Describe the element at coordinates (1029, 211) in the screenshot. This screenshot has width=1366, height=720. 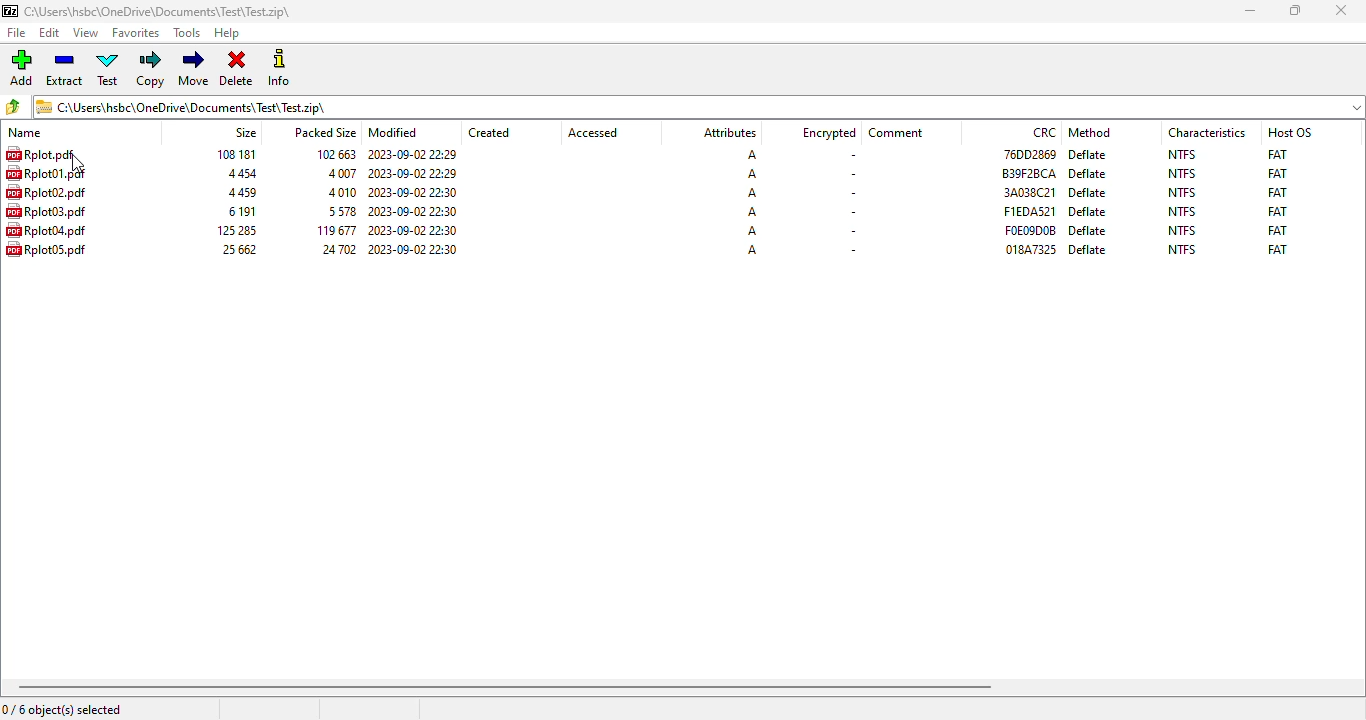
I see `CRC` at that location.